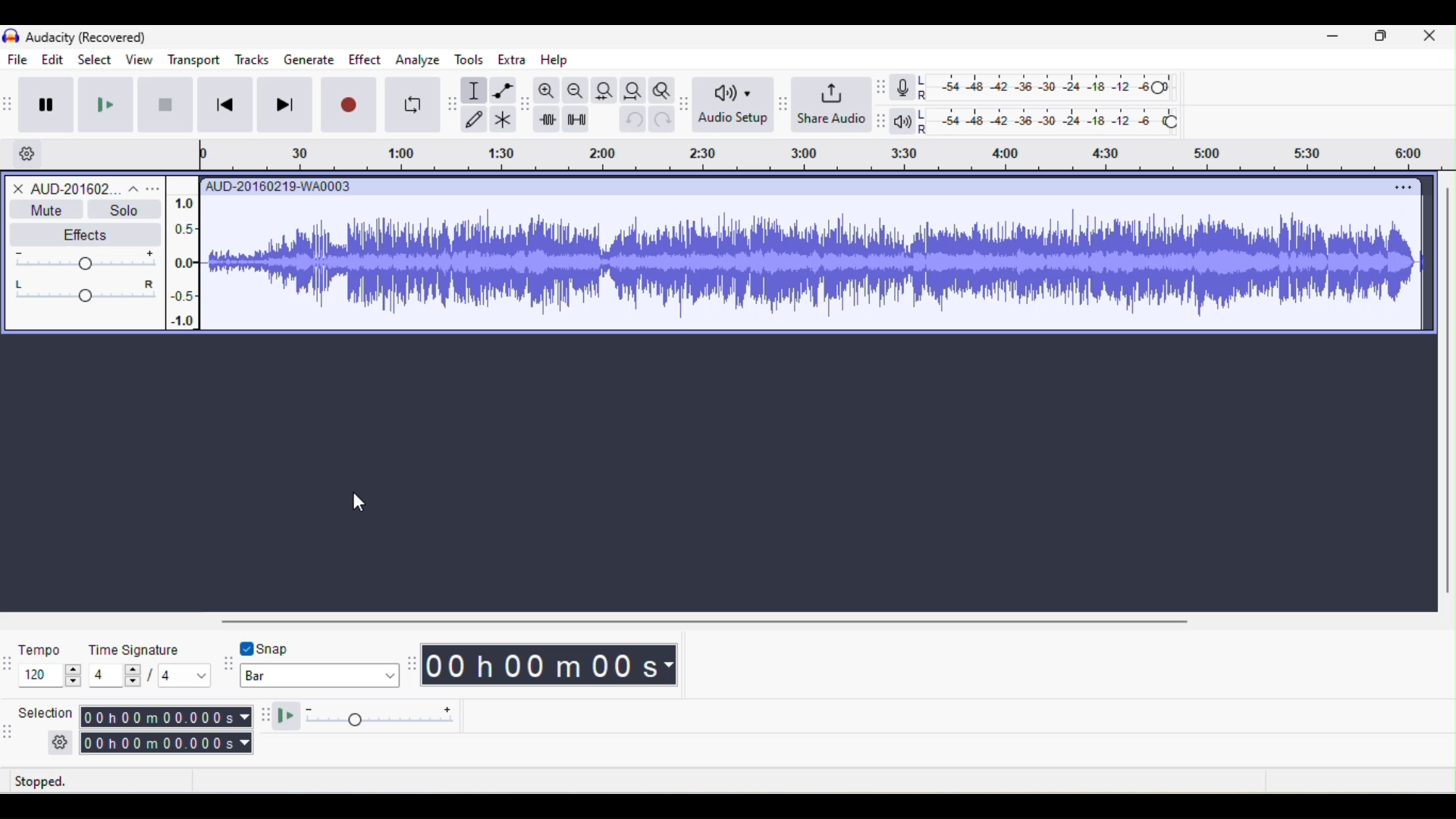 Image resolution: width=1456 pixels, height=819 pixels. Describe the element at coordinates (229, 666) in the screenshot. I see `audacity snapping toolbar` at that location.